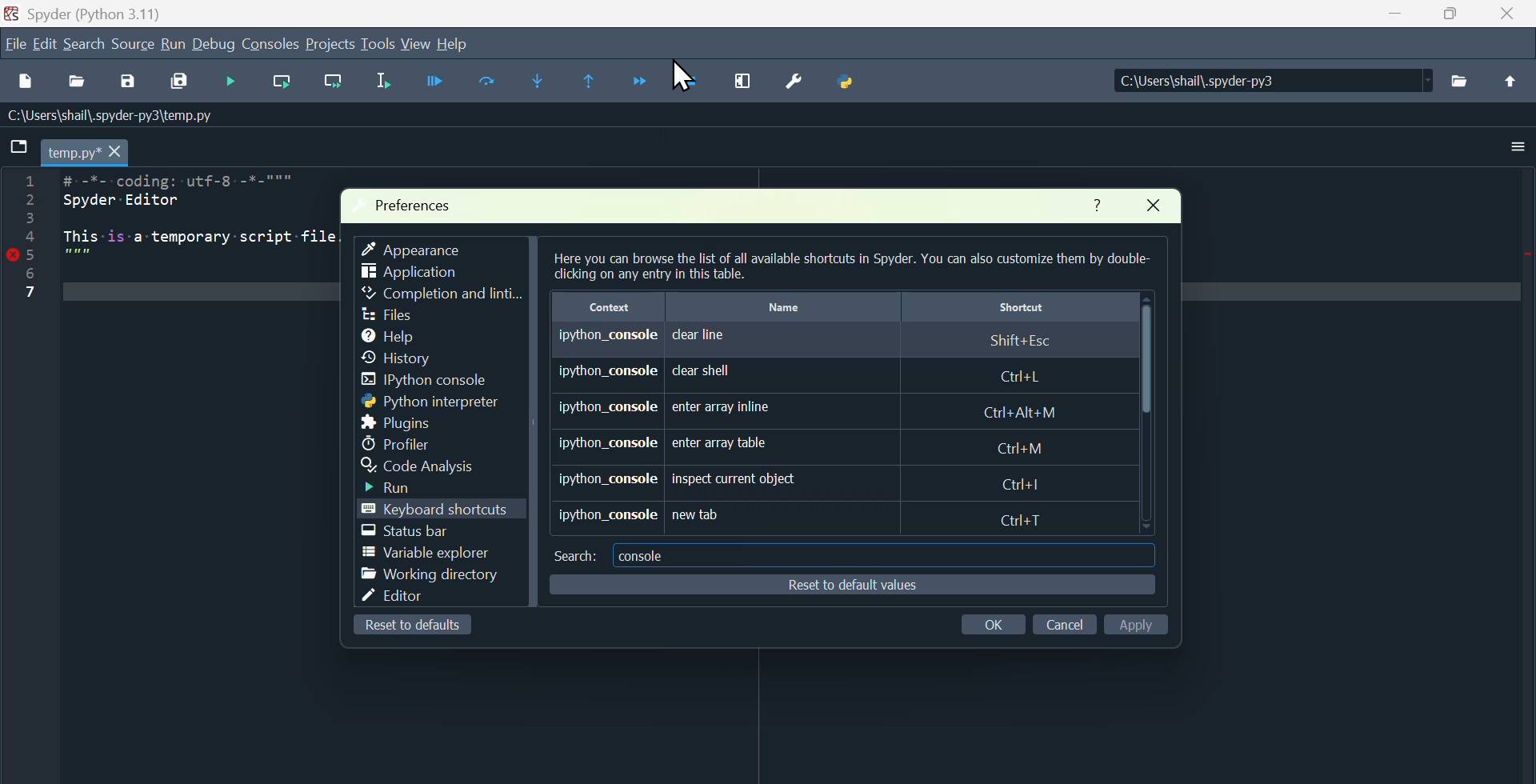  Describe the element at coordinates (1512, 19) in the screenshot. I see `Close` at that location.